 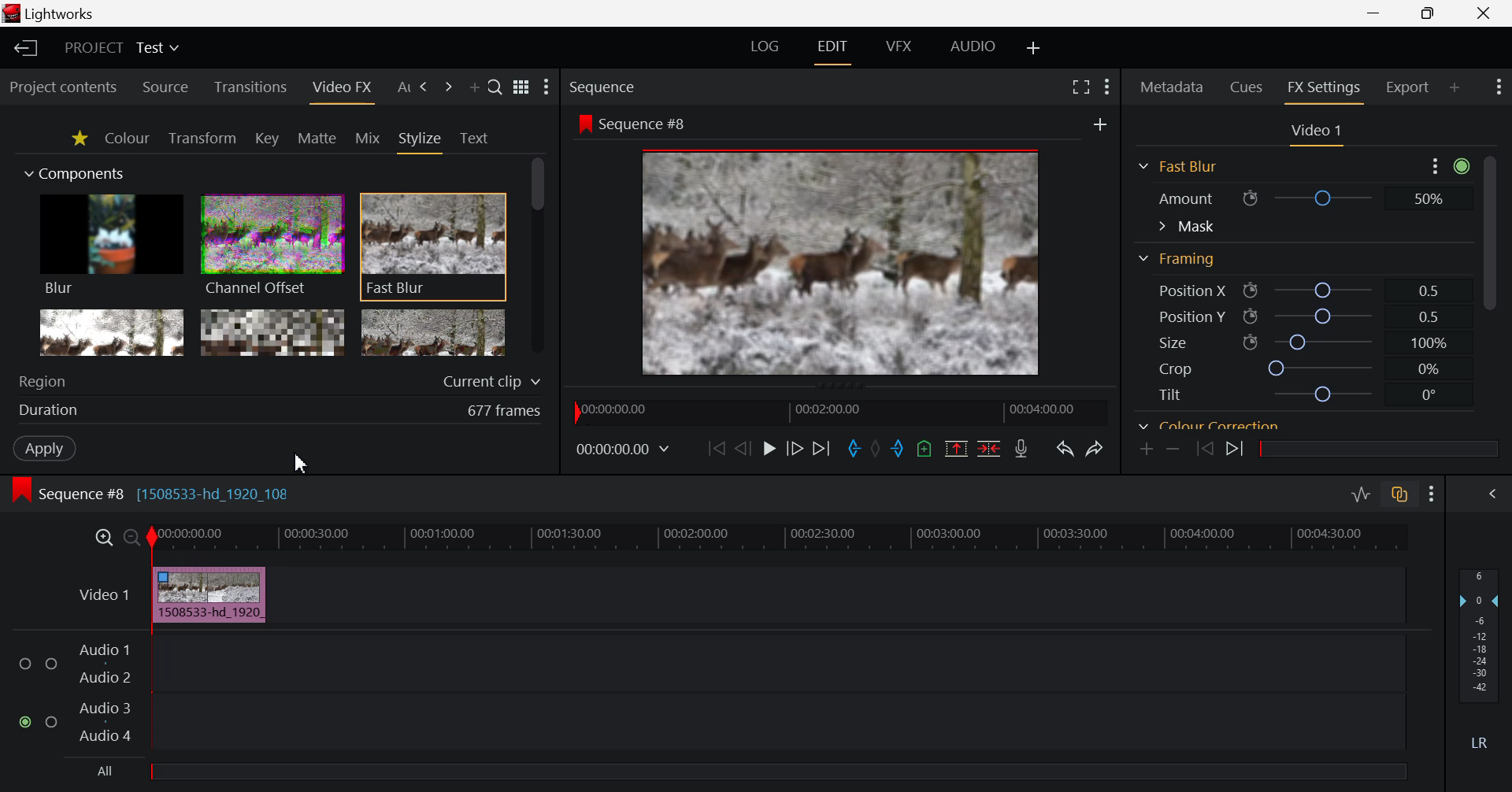 I want to click on Cursor on Video FX, so click(x=350, y=88).